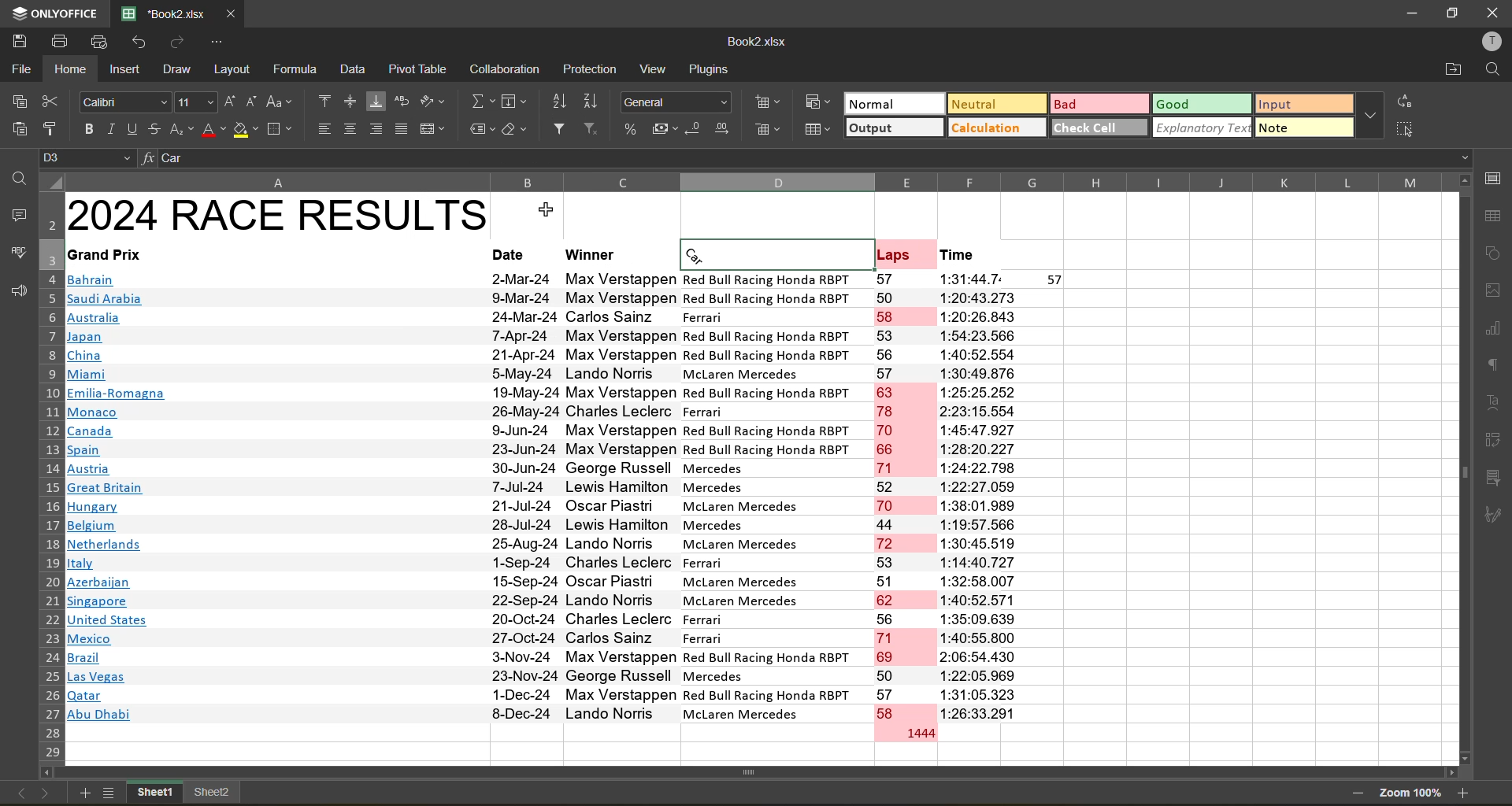 This screenshot has width=1512, height=806. Describe the element at coordinates (724, 131) in the screenshot. I see `increase decimal` at that location.